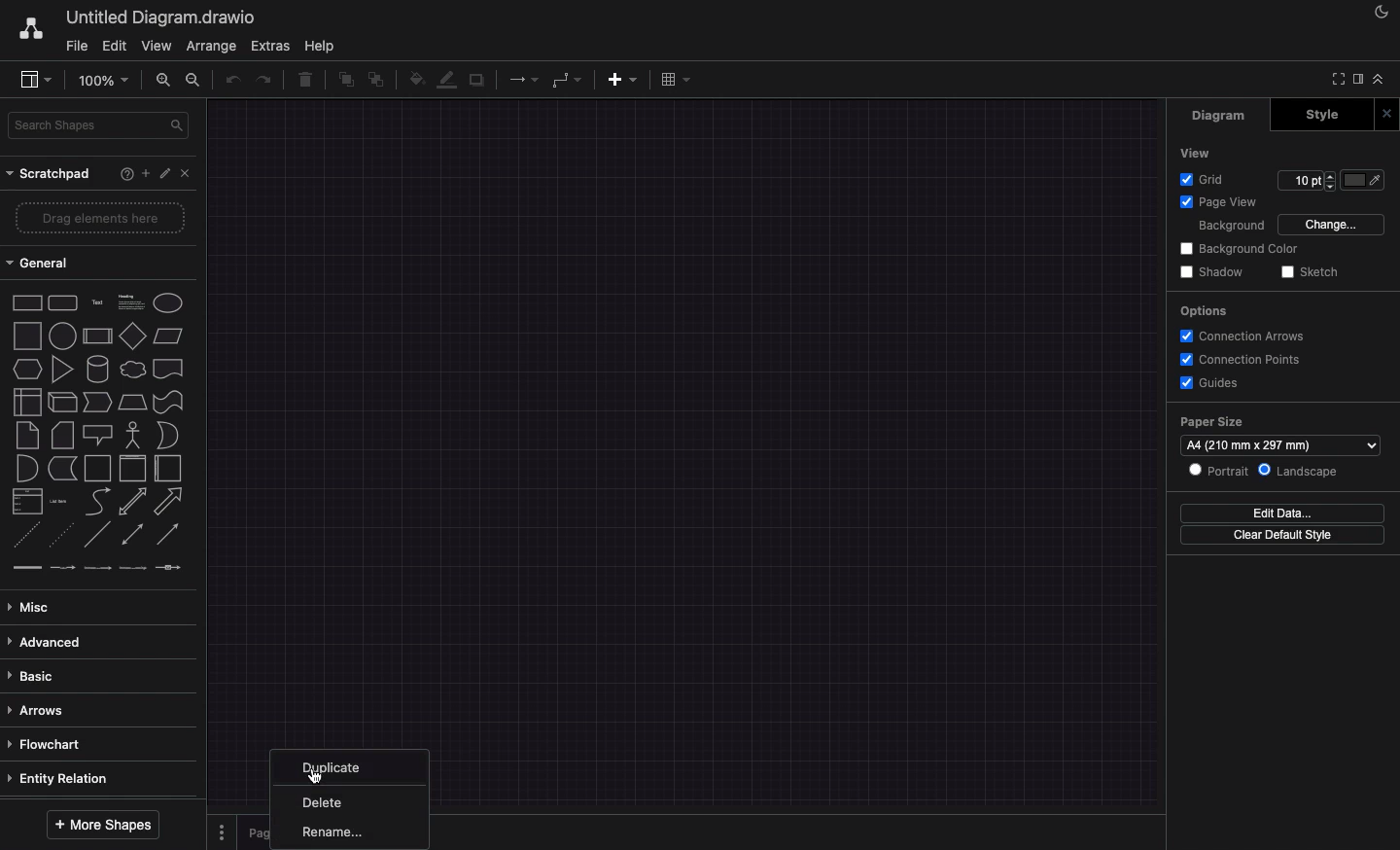 This screenshot has height=850, width=1400. Describe the element at coordinates (169, 468) in the screenshot. I see `horizontal container` at that location.